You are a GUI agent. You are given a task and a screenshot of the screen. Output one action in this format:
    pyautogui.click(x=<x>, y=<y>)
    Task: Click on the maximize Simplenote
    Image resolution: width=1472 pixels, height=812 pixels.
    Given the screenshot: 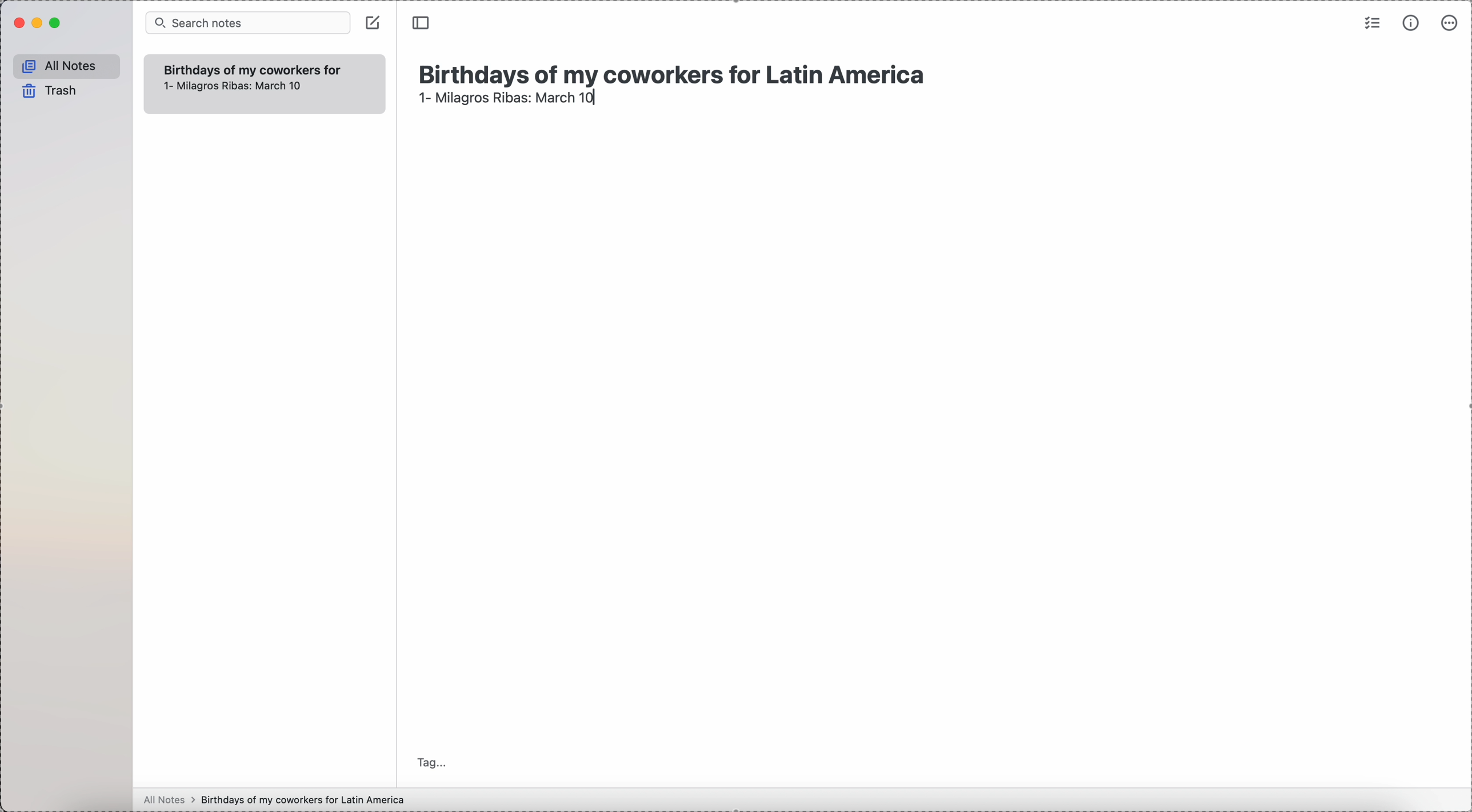 What is the action you would take?
    pyautogui.click(x=56, y=23)
    